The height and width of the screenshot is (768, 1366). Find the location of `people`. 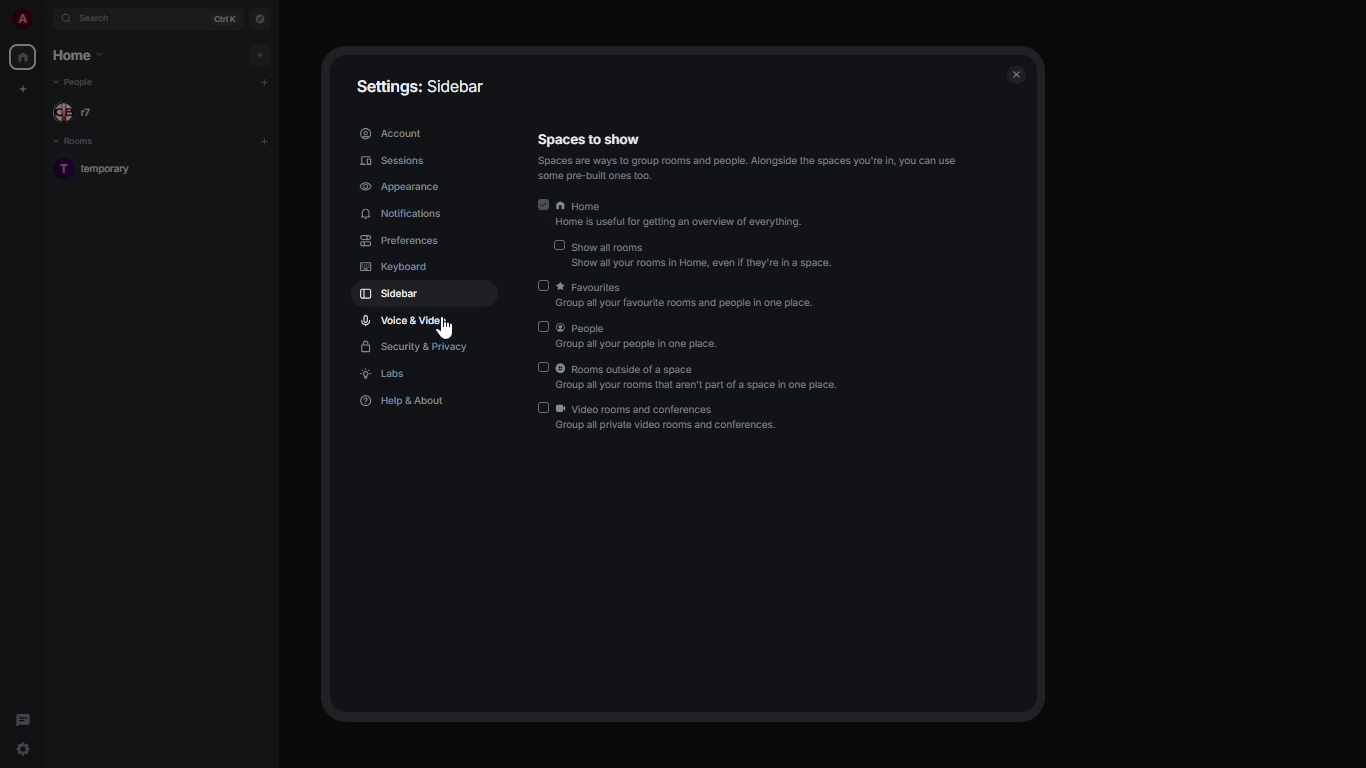

people is located at coordinates (80, 112).